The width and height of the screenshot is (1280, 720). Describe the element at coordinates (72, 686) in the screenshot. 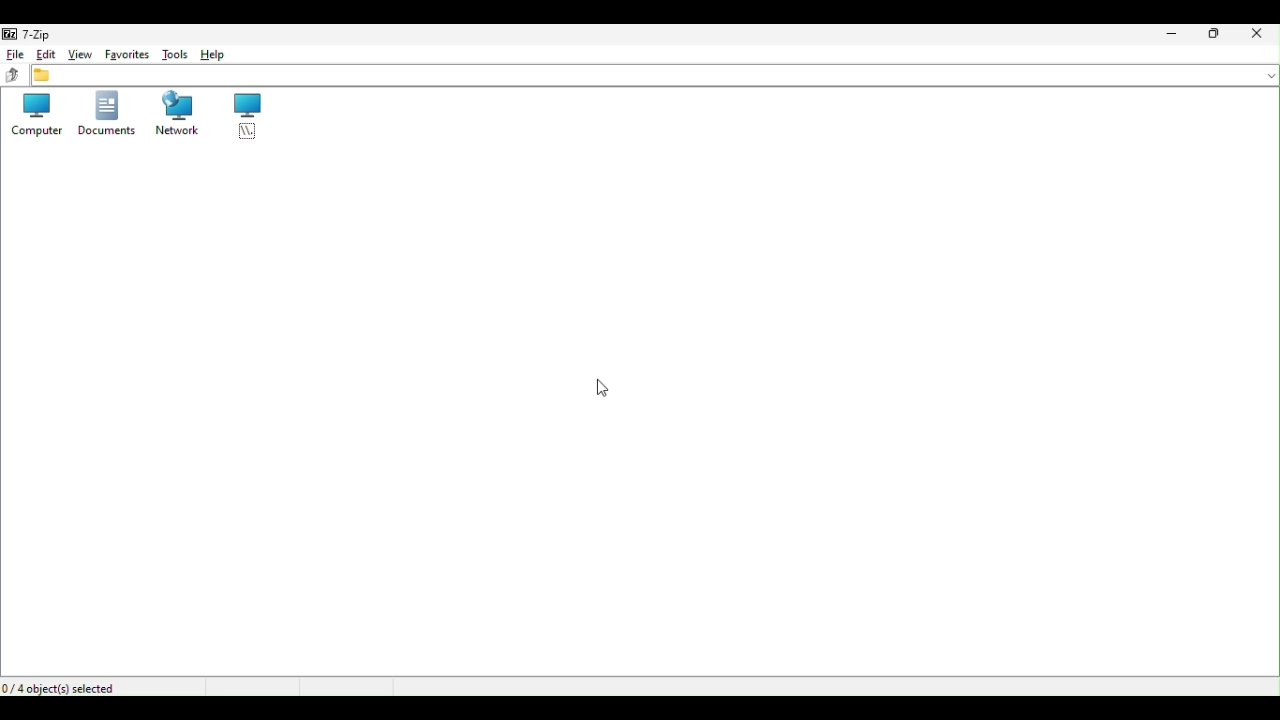

I see `4 object selected` at that location.